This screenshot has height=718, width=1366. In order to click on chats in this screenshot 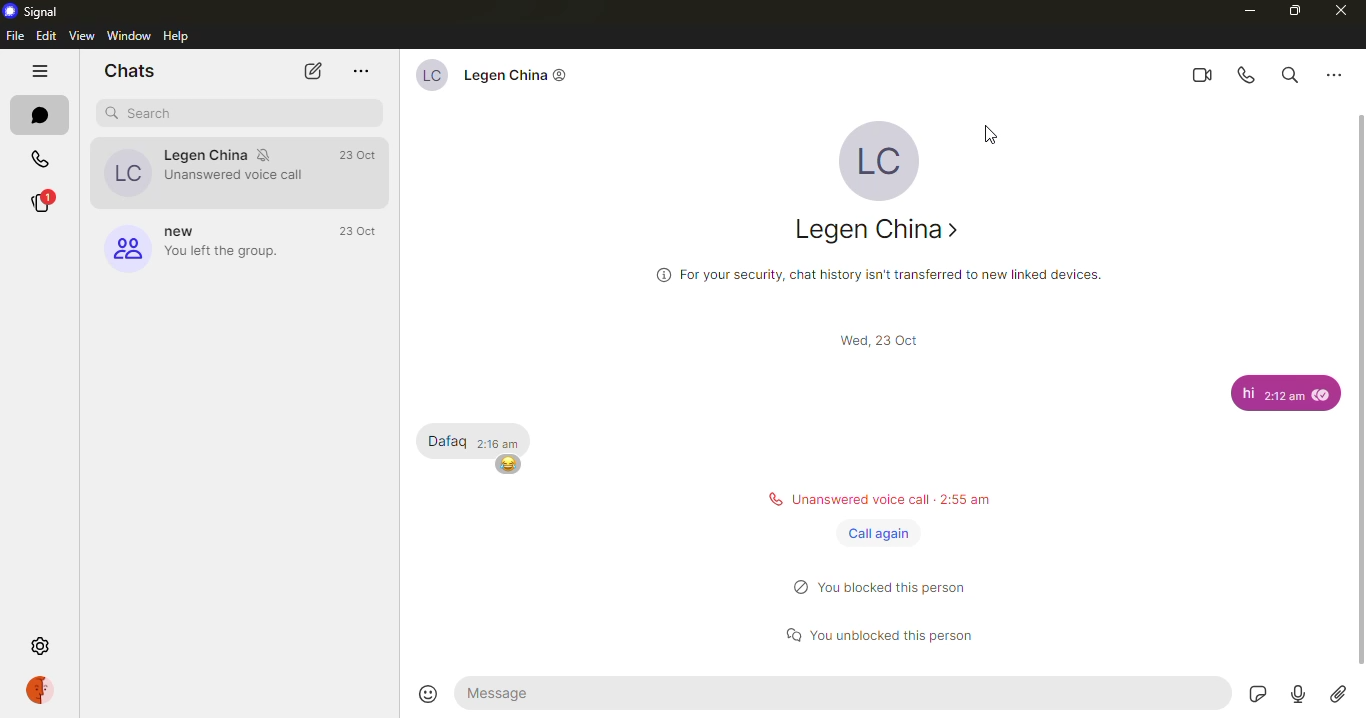, I will do `click(130, 69)`.